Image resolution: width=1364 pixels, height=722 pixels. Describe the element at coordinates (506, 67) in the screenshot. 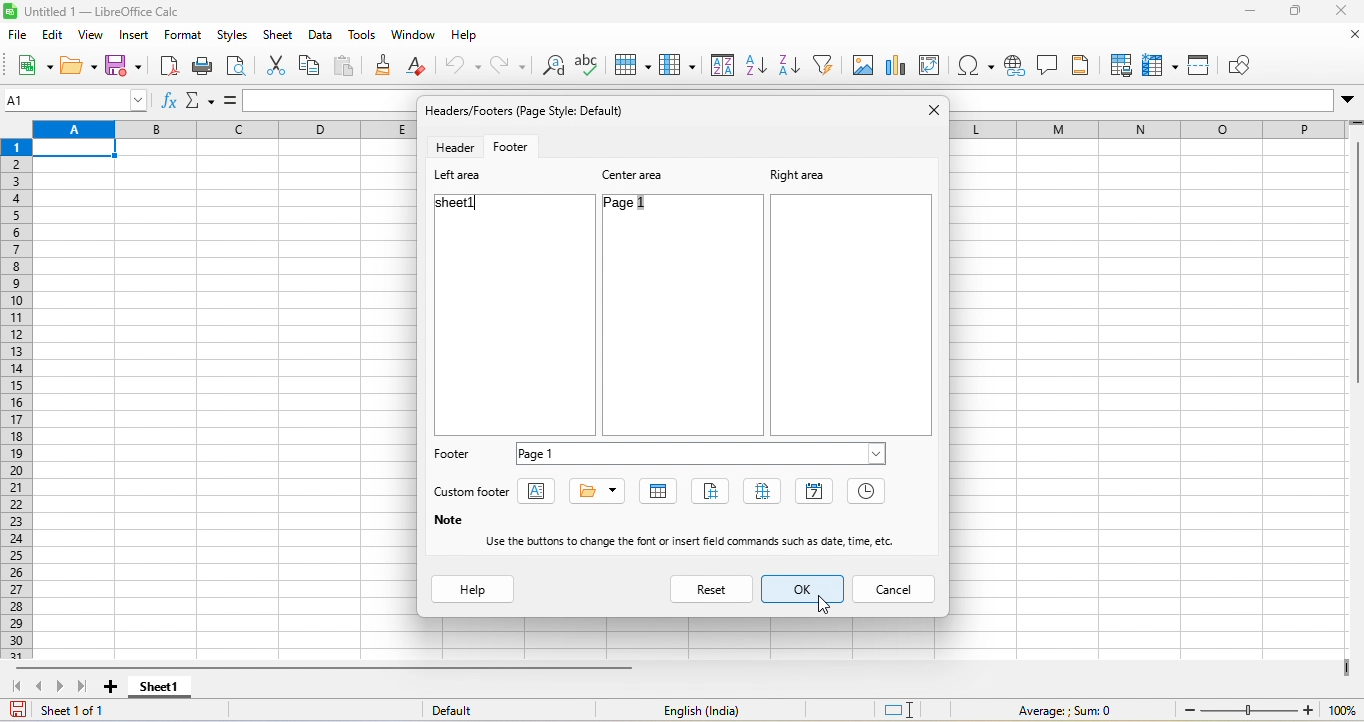

I see `redo` at that location.